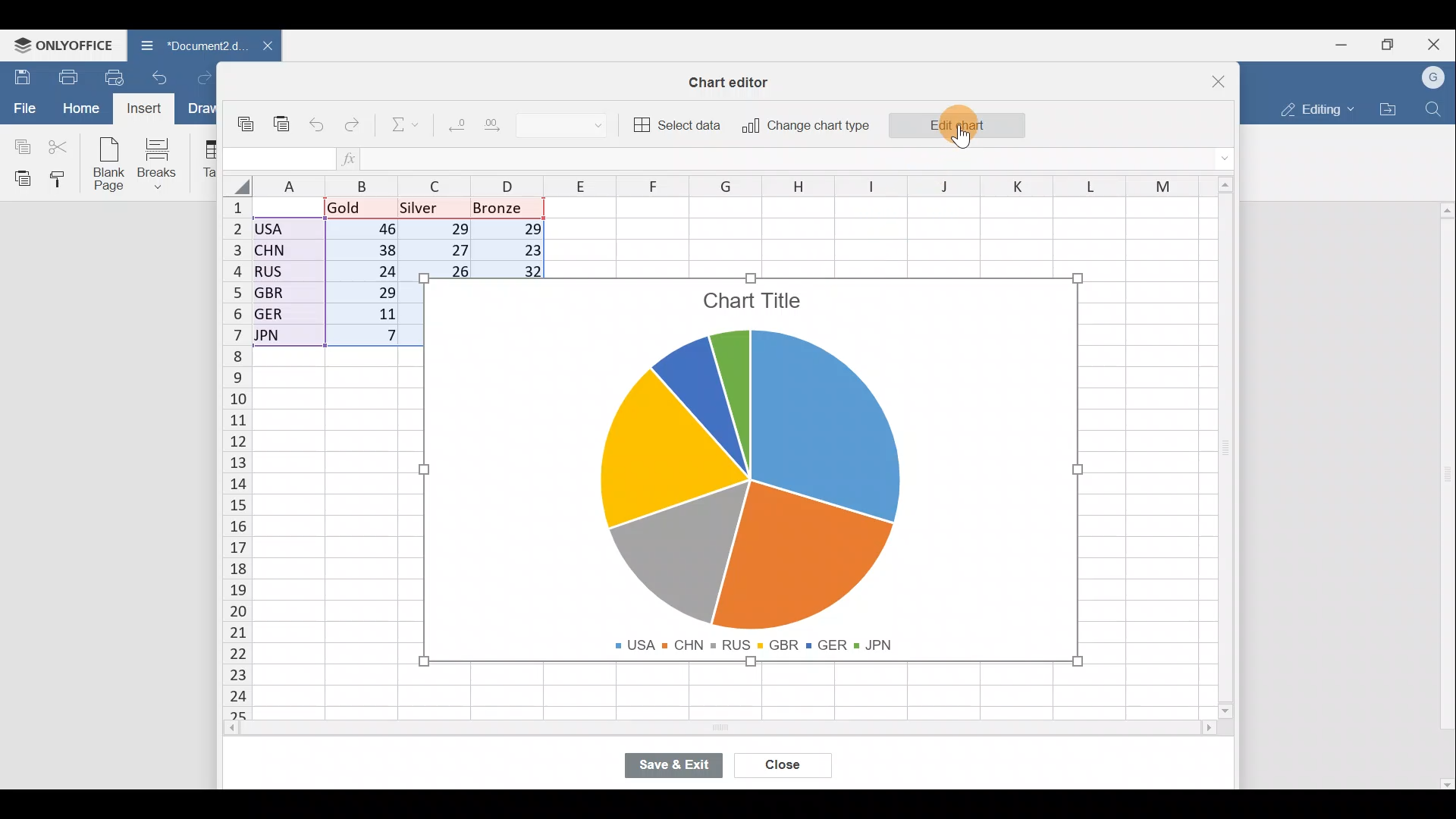 The image size is (1456, 819). What do you see at coordinates (1394, 43) in the screenshot?
I see `Maximize` at bounding box center [1394, 43].